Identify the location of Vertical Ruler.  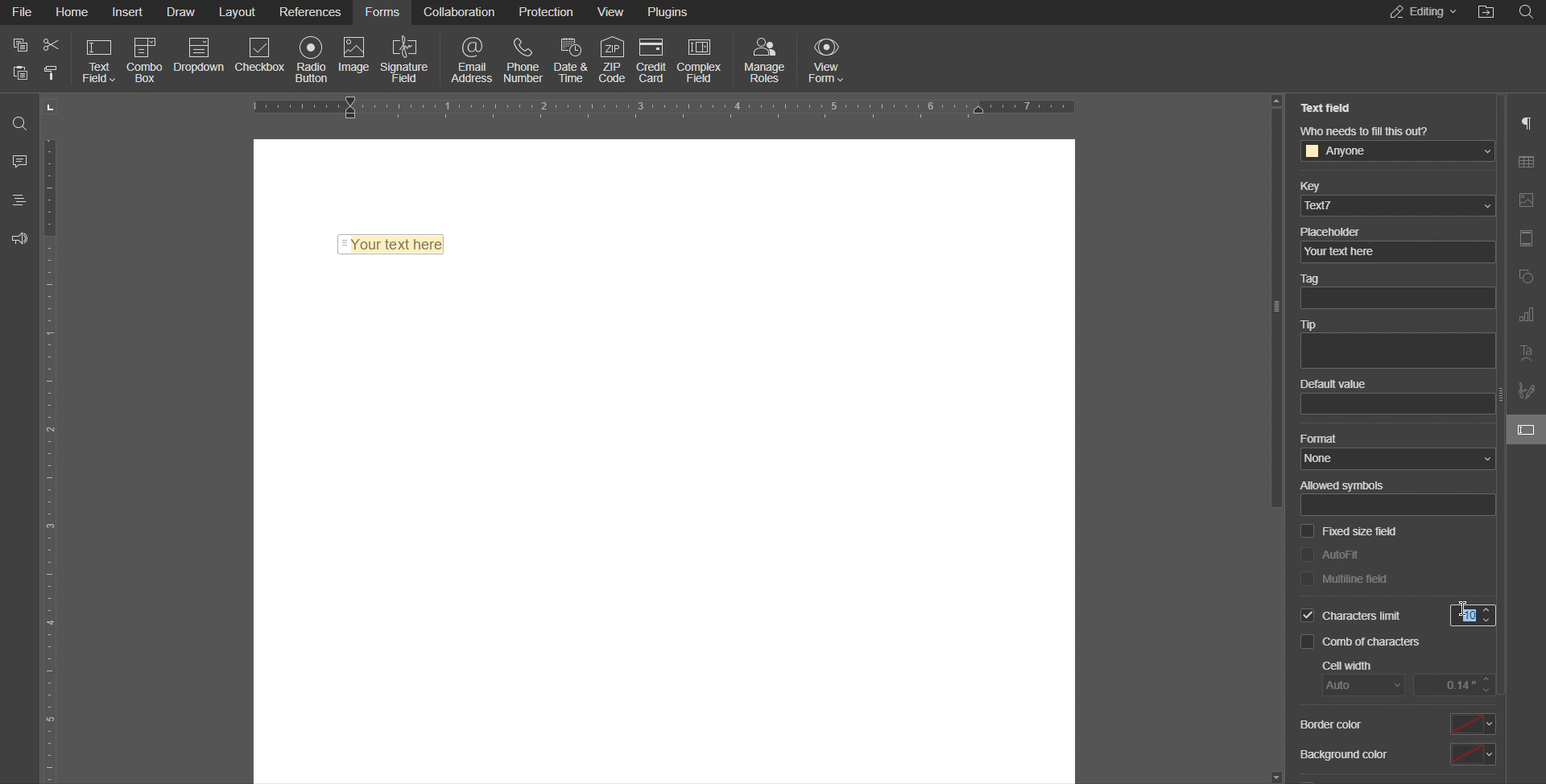
(54, 457).